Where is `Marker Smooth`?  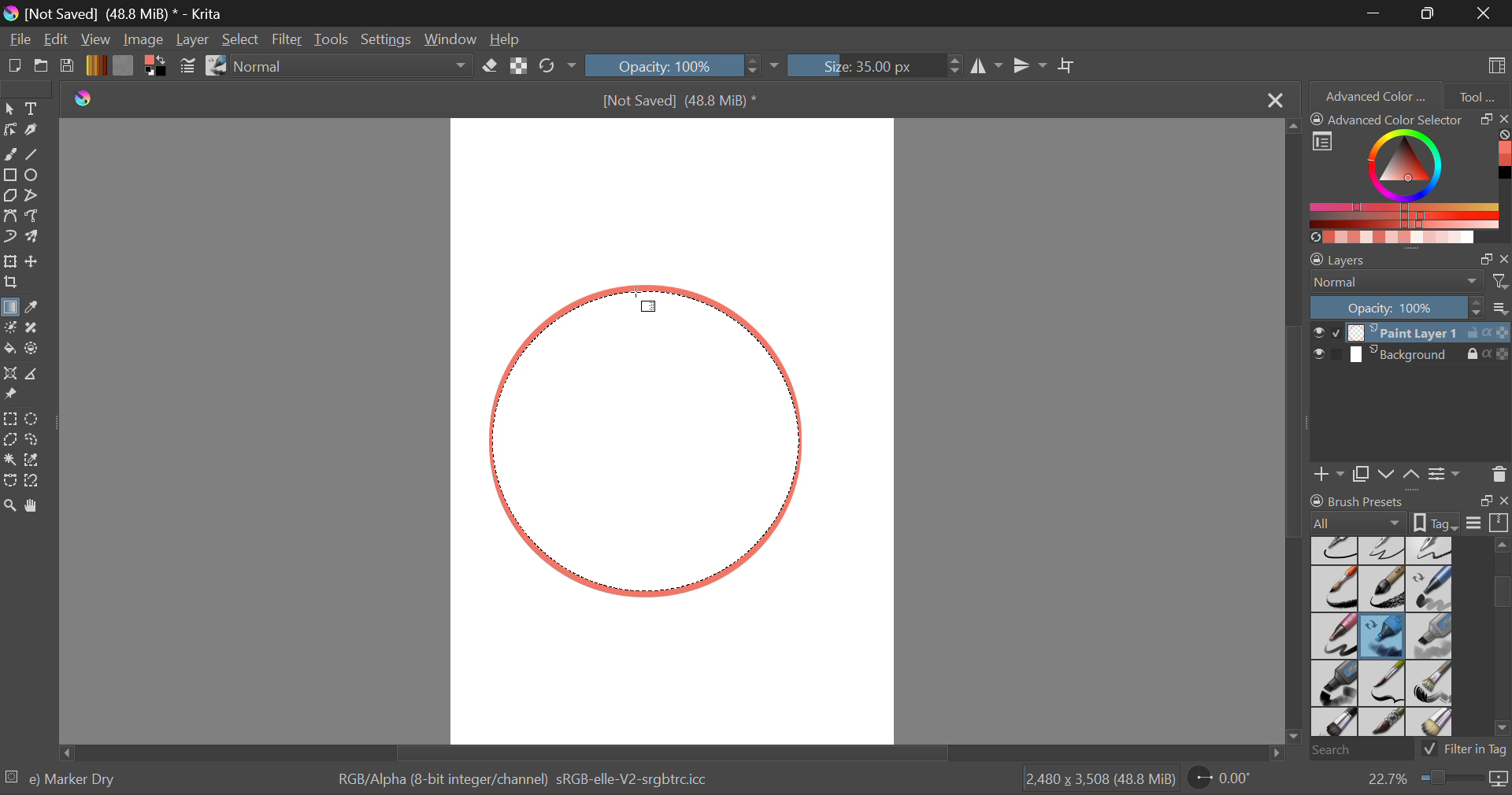
Marker Smooth is located at coordinates (1334, 636).